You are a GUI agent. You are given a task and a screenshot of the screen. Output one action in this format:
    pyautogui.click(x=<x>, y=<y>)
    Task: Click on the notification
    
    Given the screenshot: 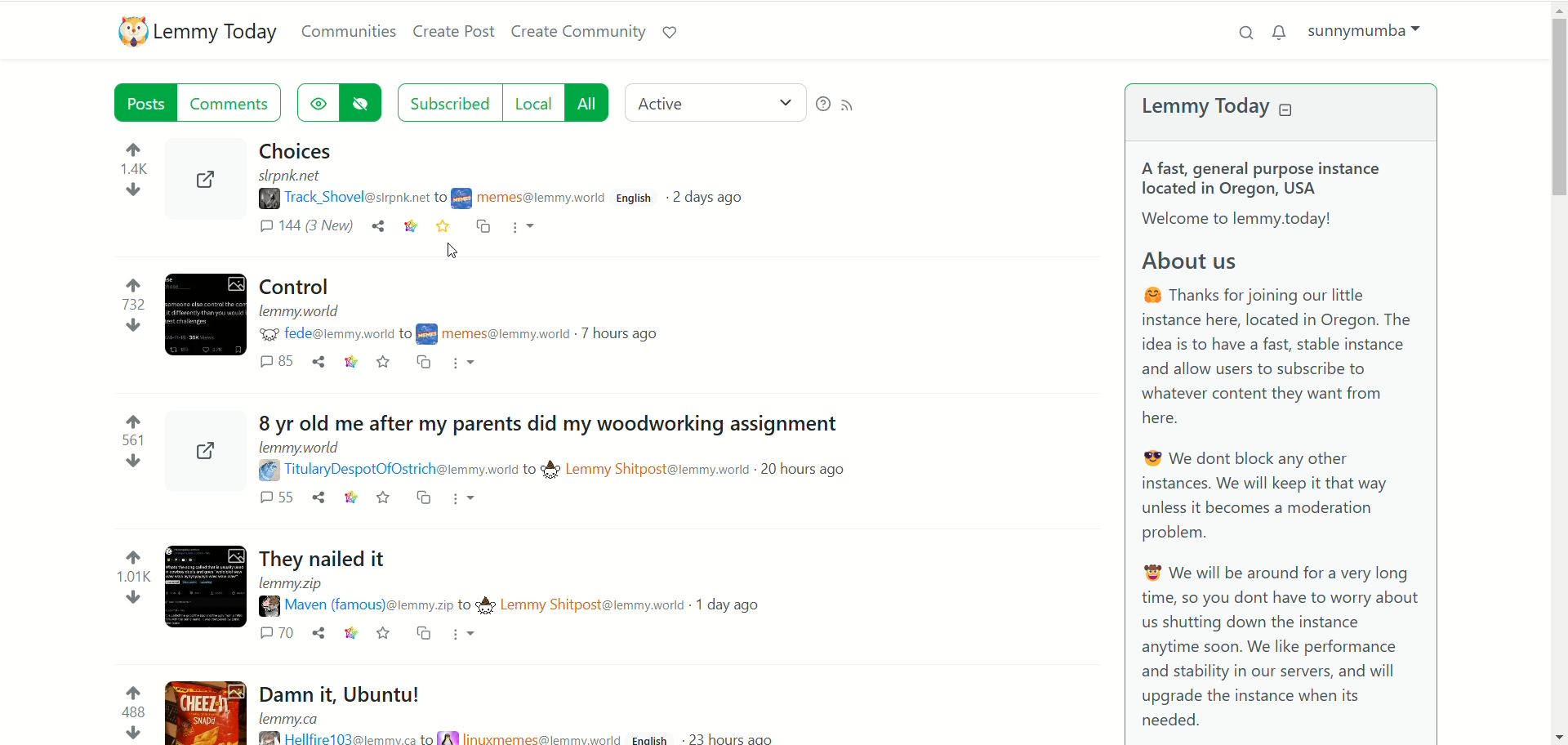 What is the action you would take?
    pyautogui.click(x=1283, y=31)
    